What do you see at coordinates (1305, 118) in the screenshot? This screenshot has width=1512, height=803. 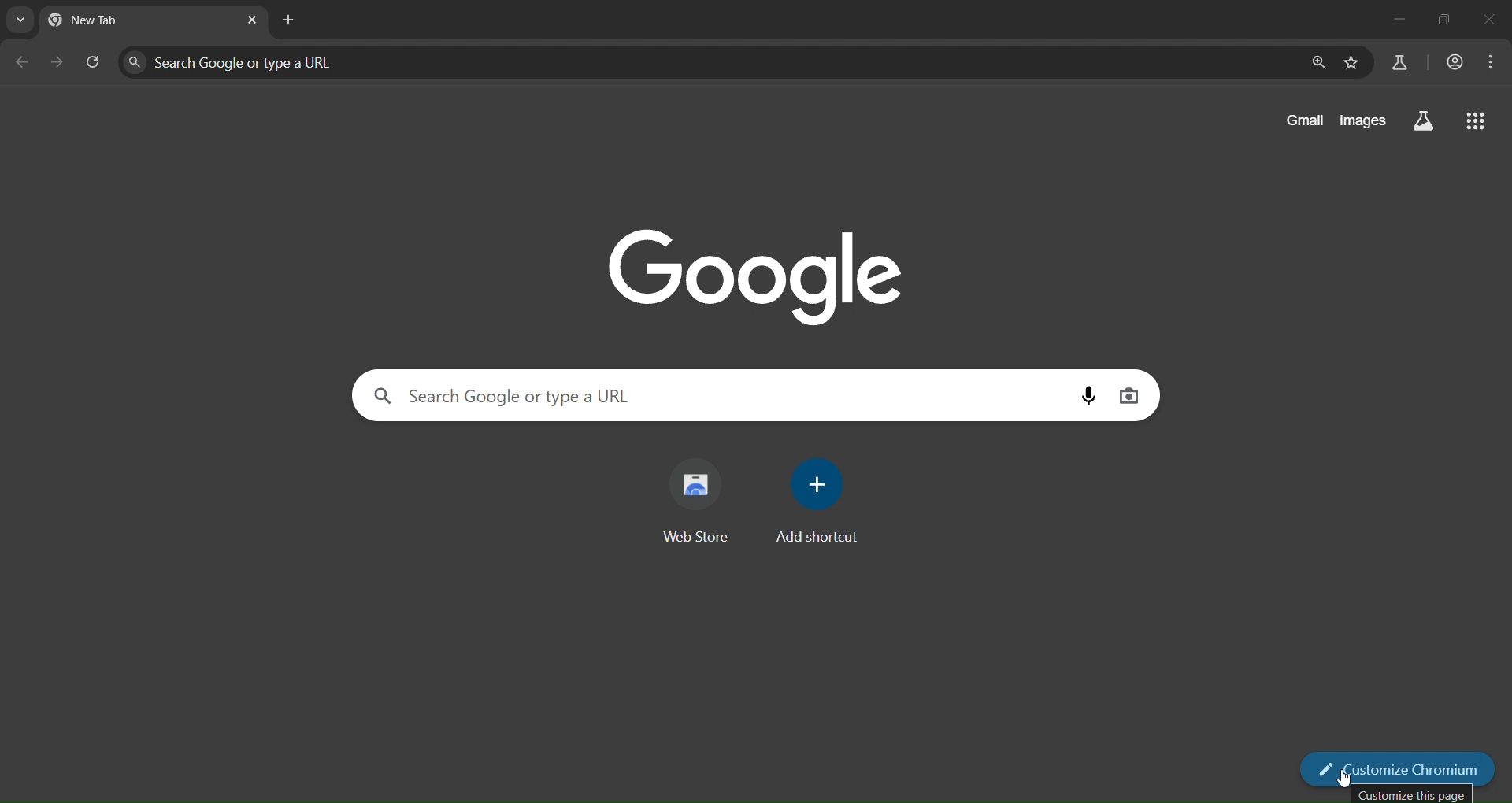 I see `gmail` at bounding box center [1305, 118].